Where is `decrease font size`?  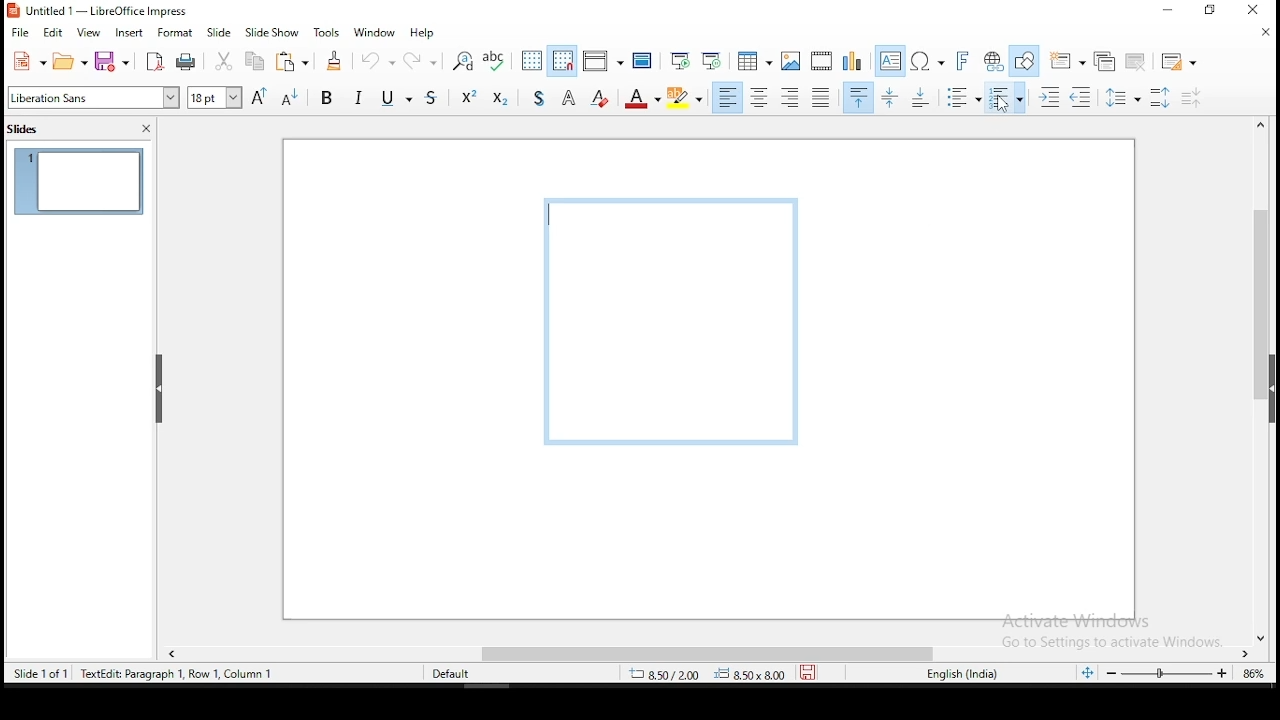 decrease font size is located at coordinates (291, 99).